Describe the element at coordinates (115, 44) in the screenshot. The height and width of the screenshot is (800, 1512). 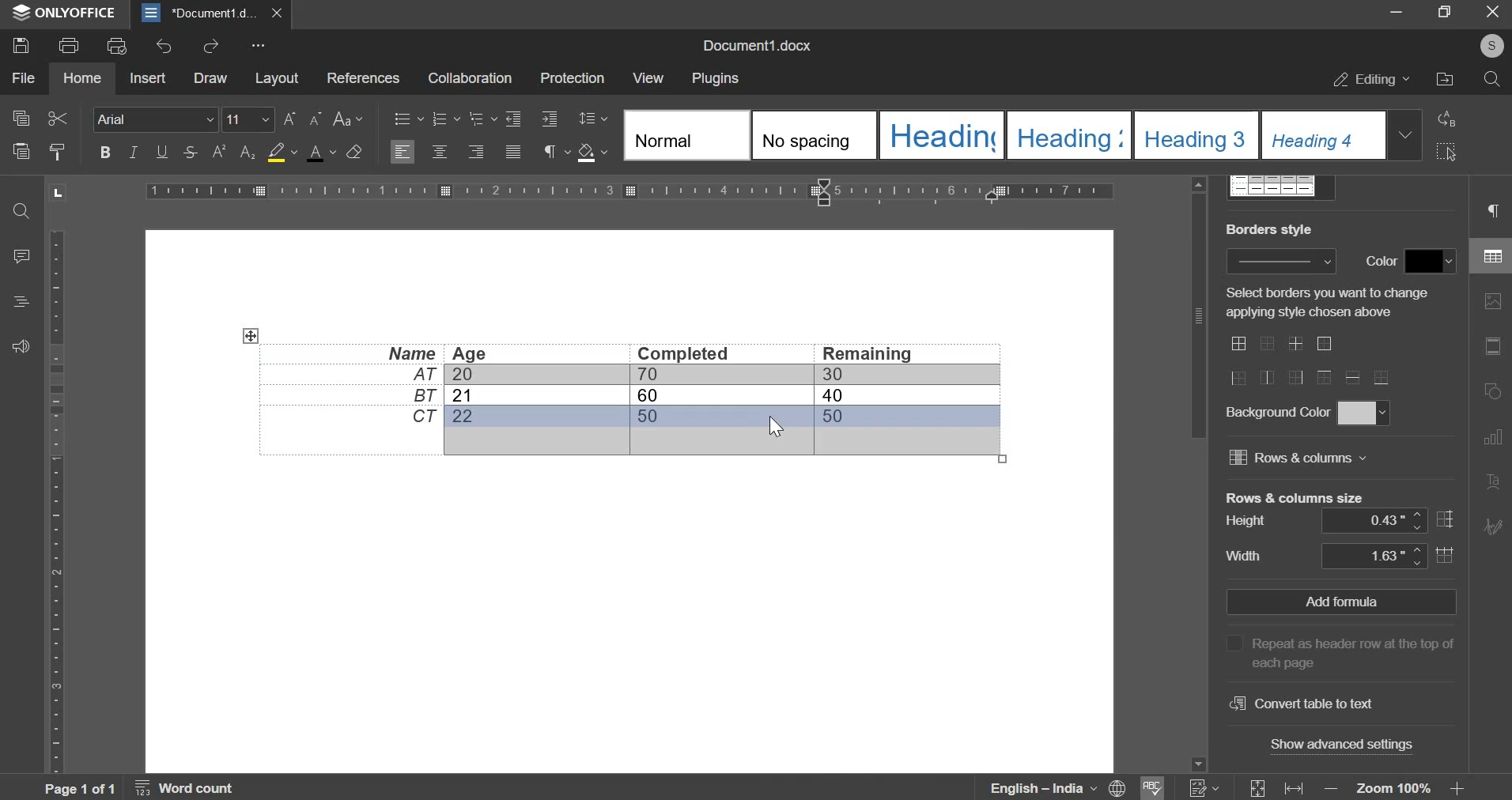
I see `print preview` at that location.